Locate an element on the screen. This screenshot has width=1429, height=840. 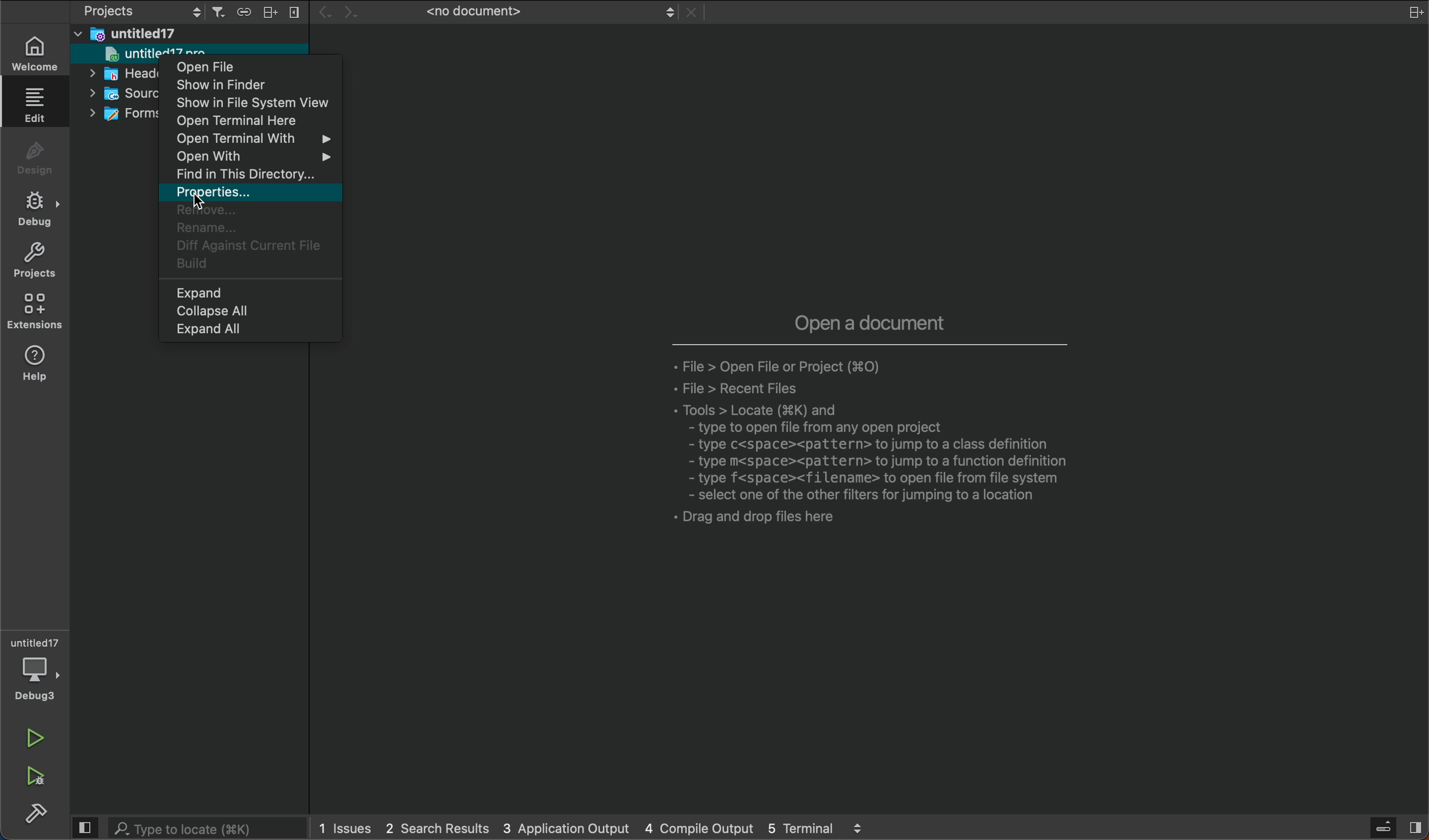
arrows is located at coordinates (344, 12).